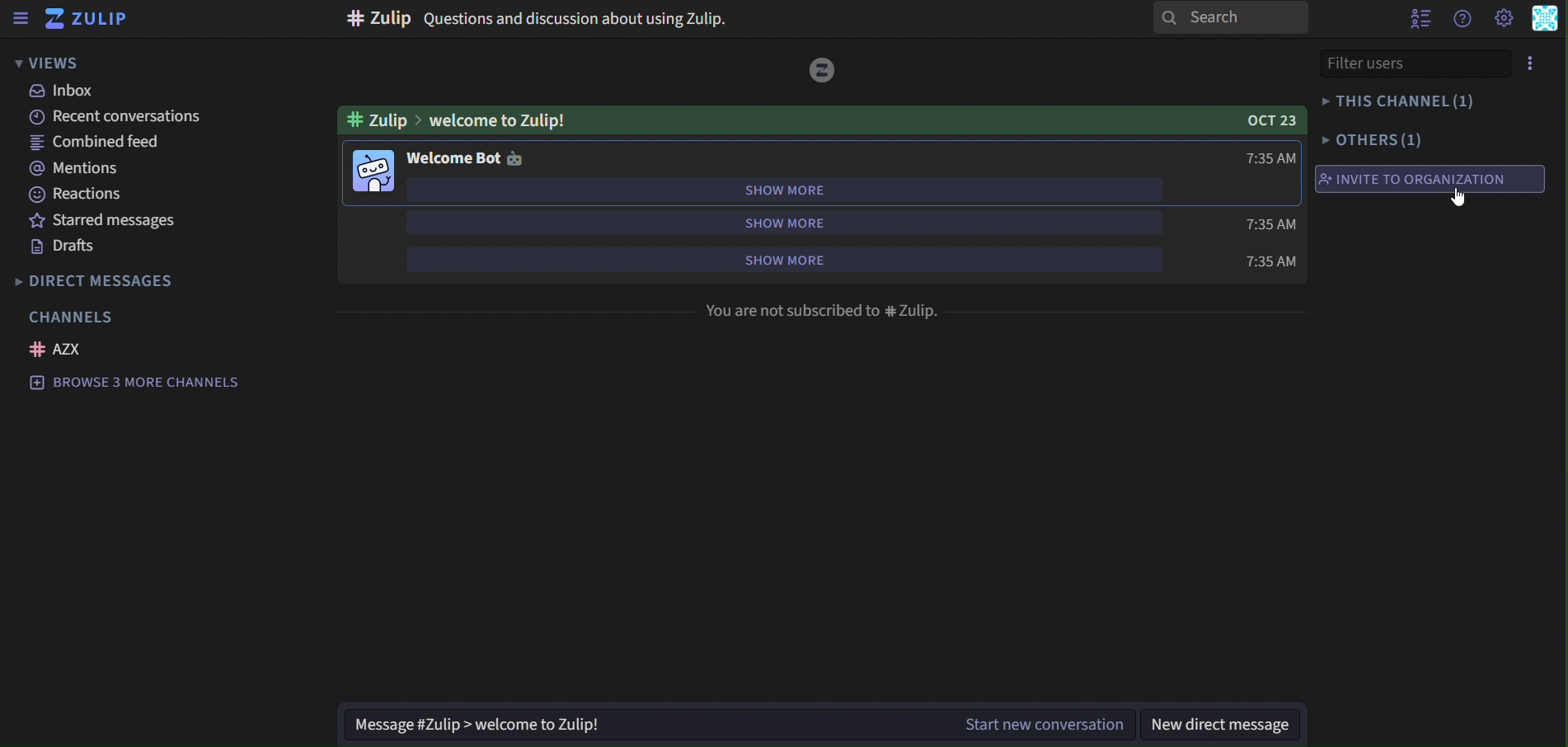 The image size is (1568, 747). I want to click on time, so click(1269, 261).